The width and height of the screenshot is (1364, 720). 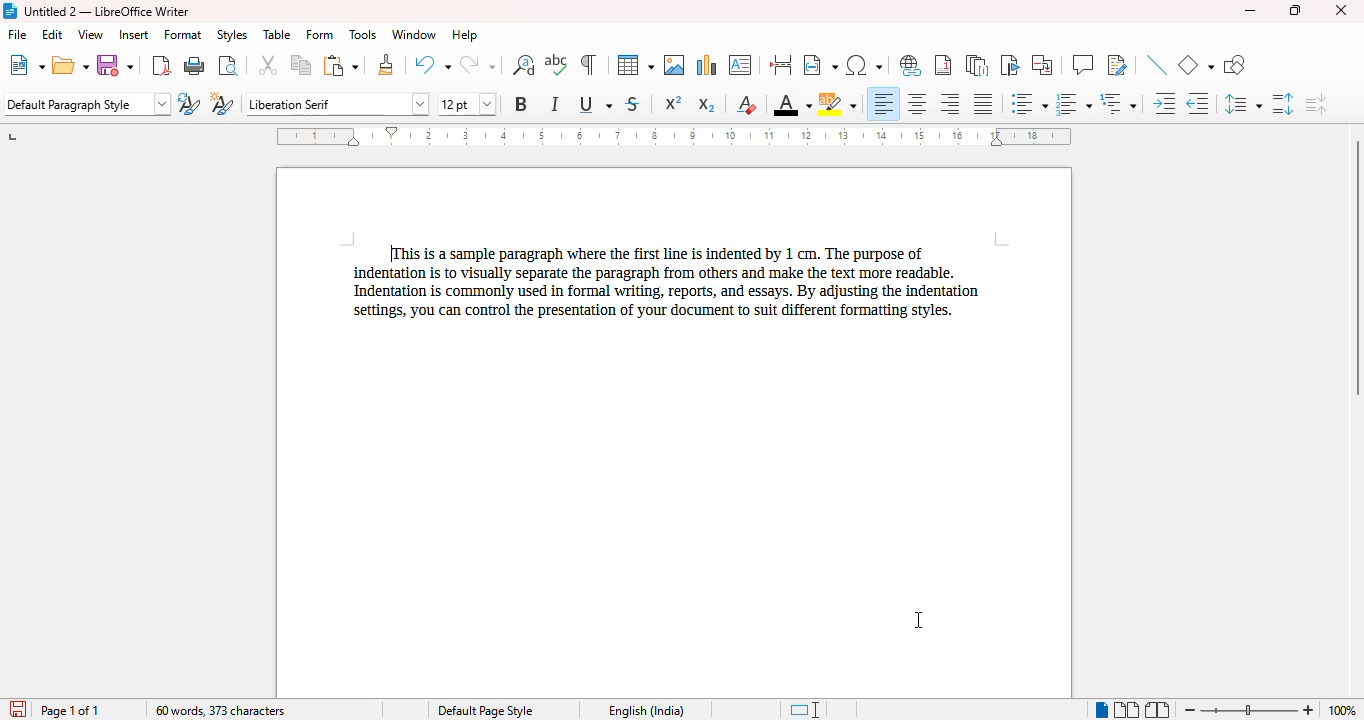 I want to click on multi-page view, so click(x=1127, y=709).